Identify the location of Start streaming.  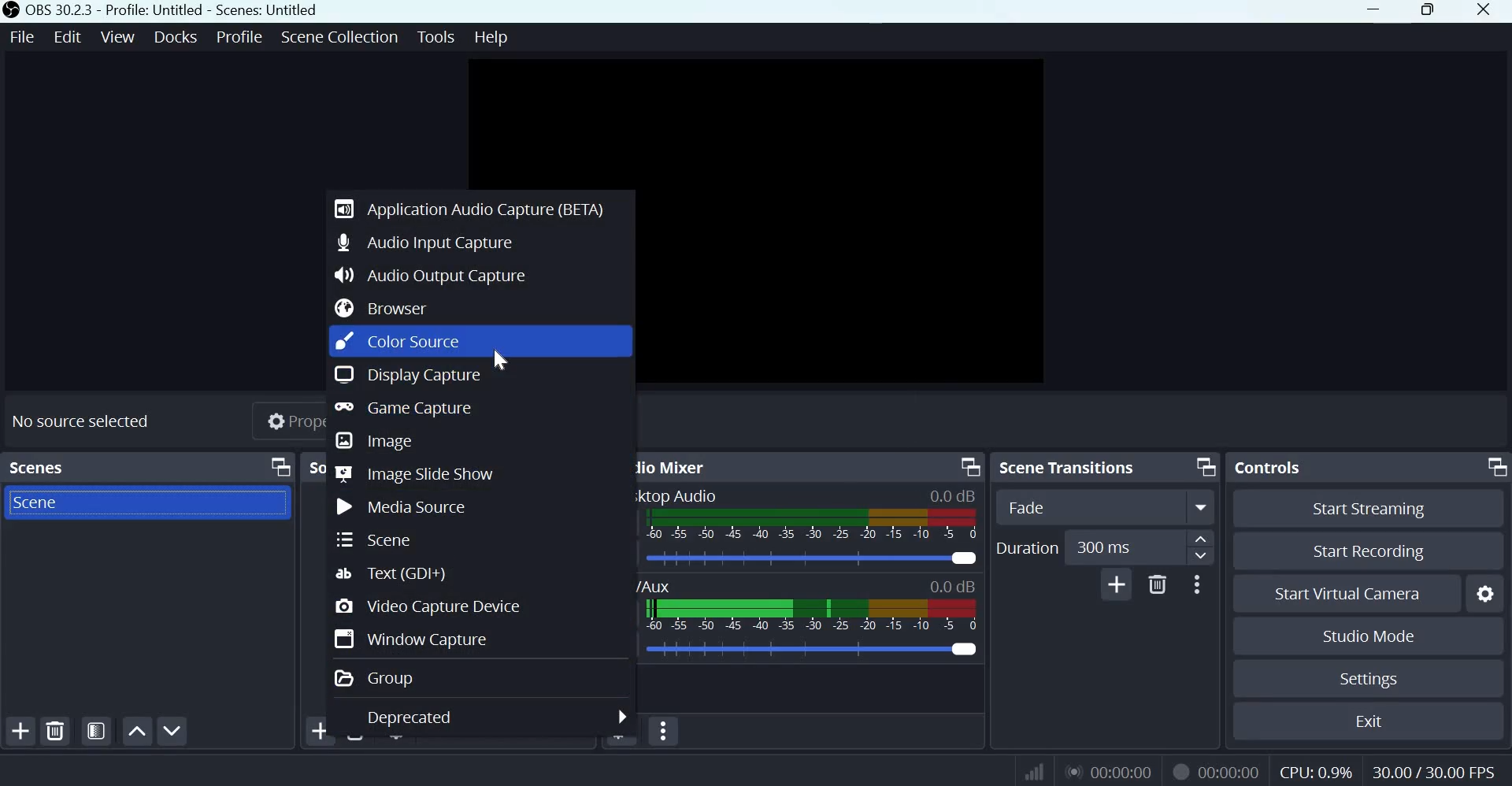
(1376, 508).